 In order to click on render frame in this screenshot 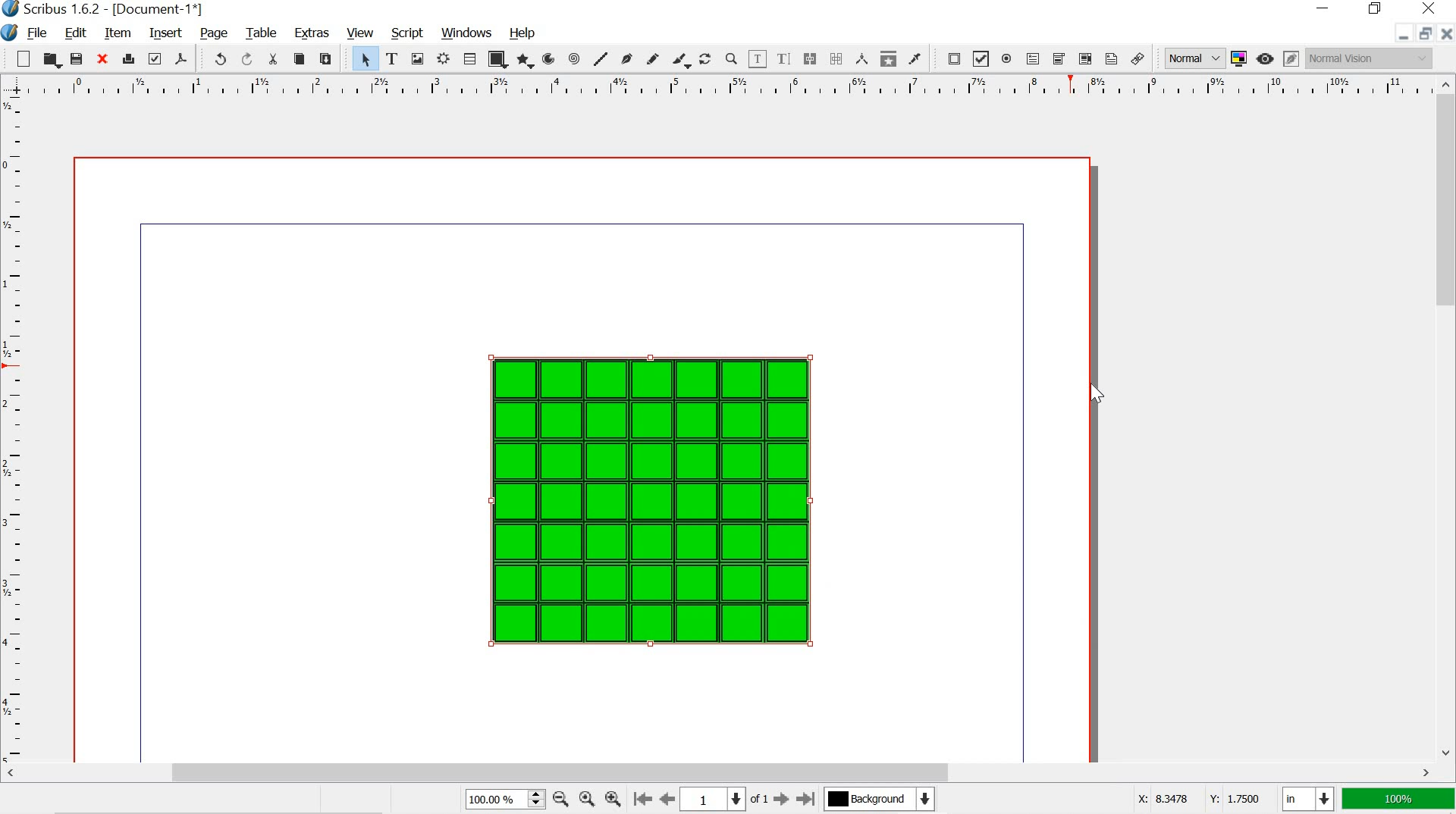, I will do `click(442, 60)`.